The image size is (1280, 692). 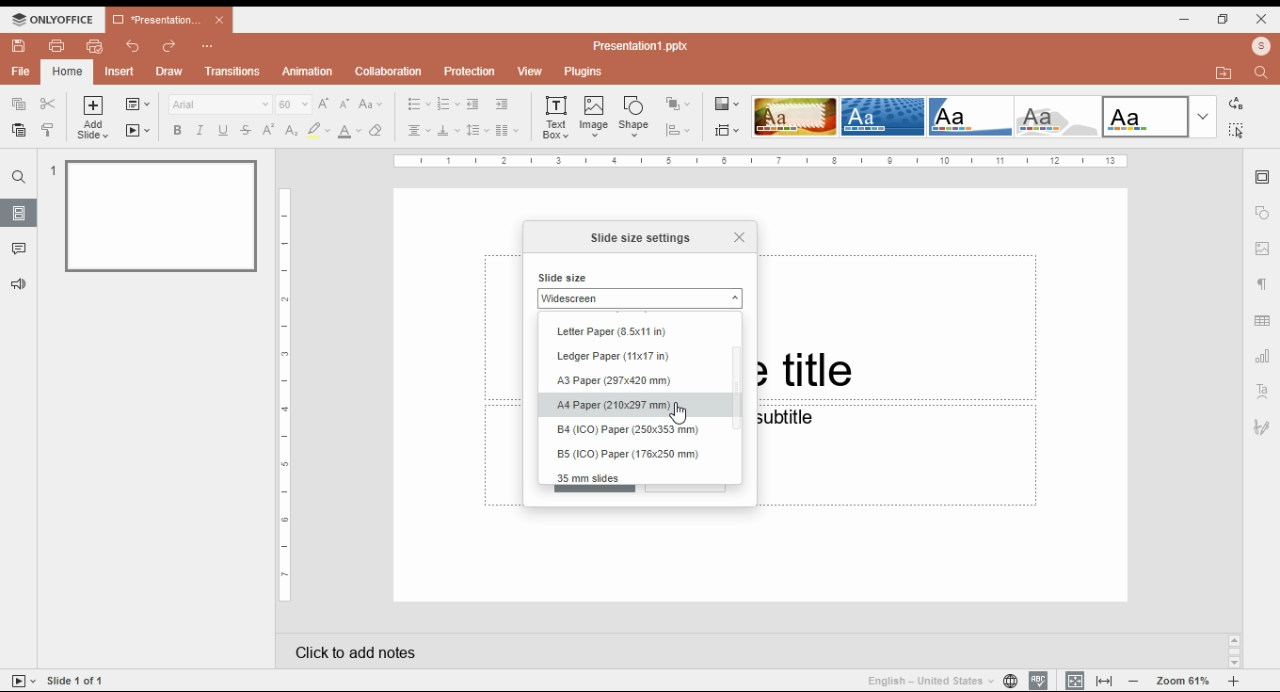 I want to click on Close, so click(x=738, y=235).